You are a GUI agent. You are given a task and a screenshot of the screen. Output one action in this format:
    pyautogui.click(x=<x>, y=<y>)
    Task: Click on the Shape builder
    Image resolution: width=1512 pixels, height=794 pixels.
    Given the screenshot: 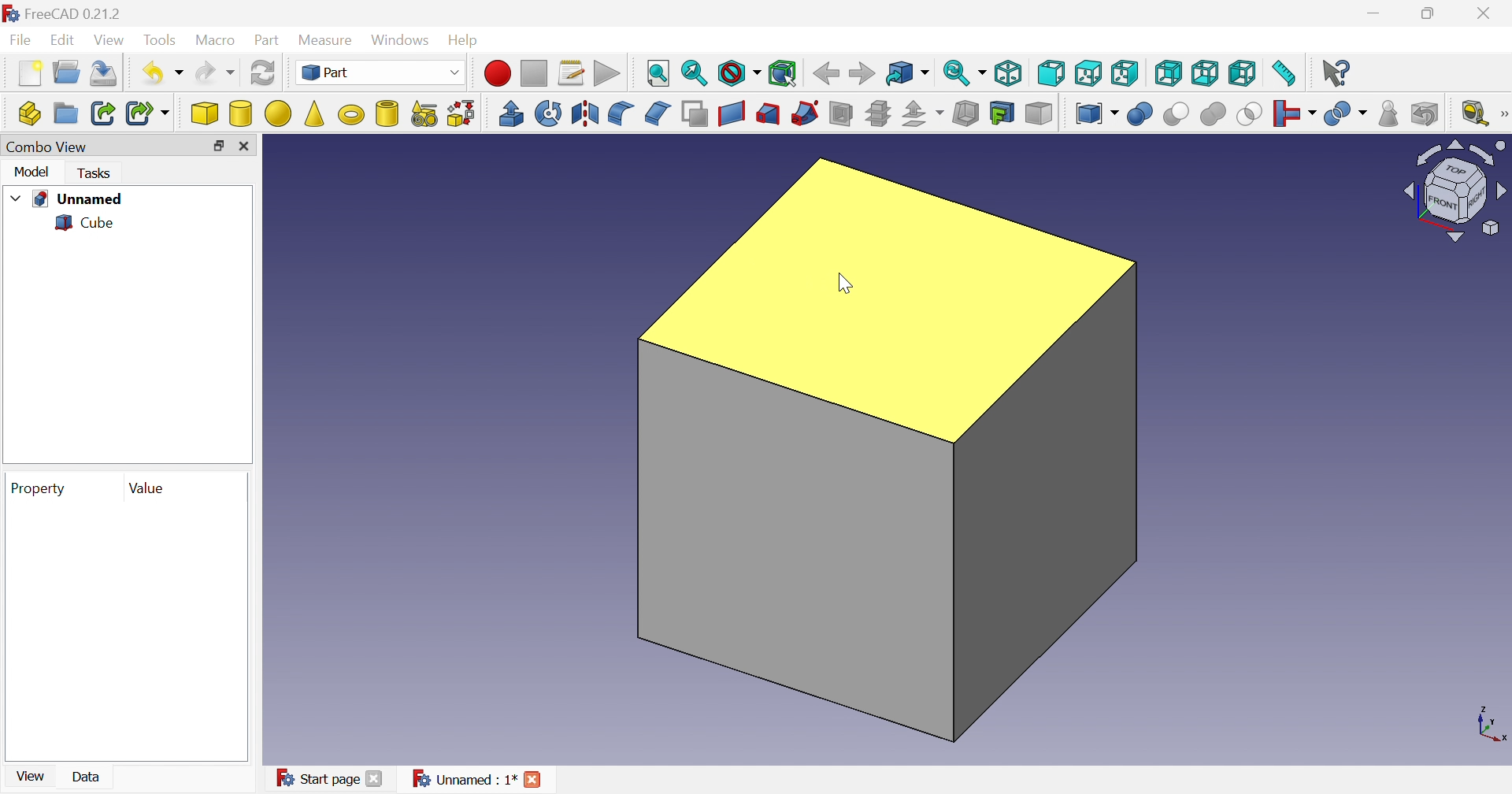 What is the action you would take?
    pyautogui.click(x=463, y=114)
    